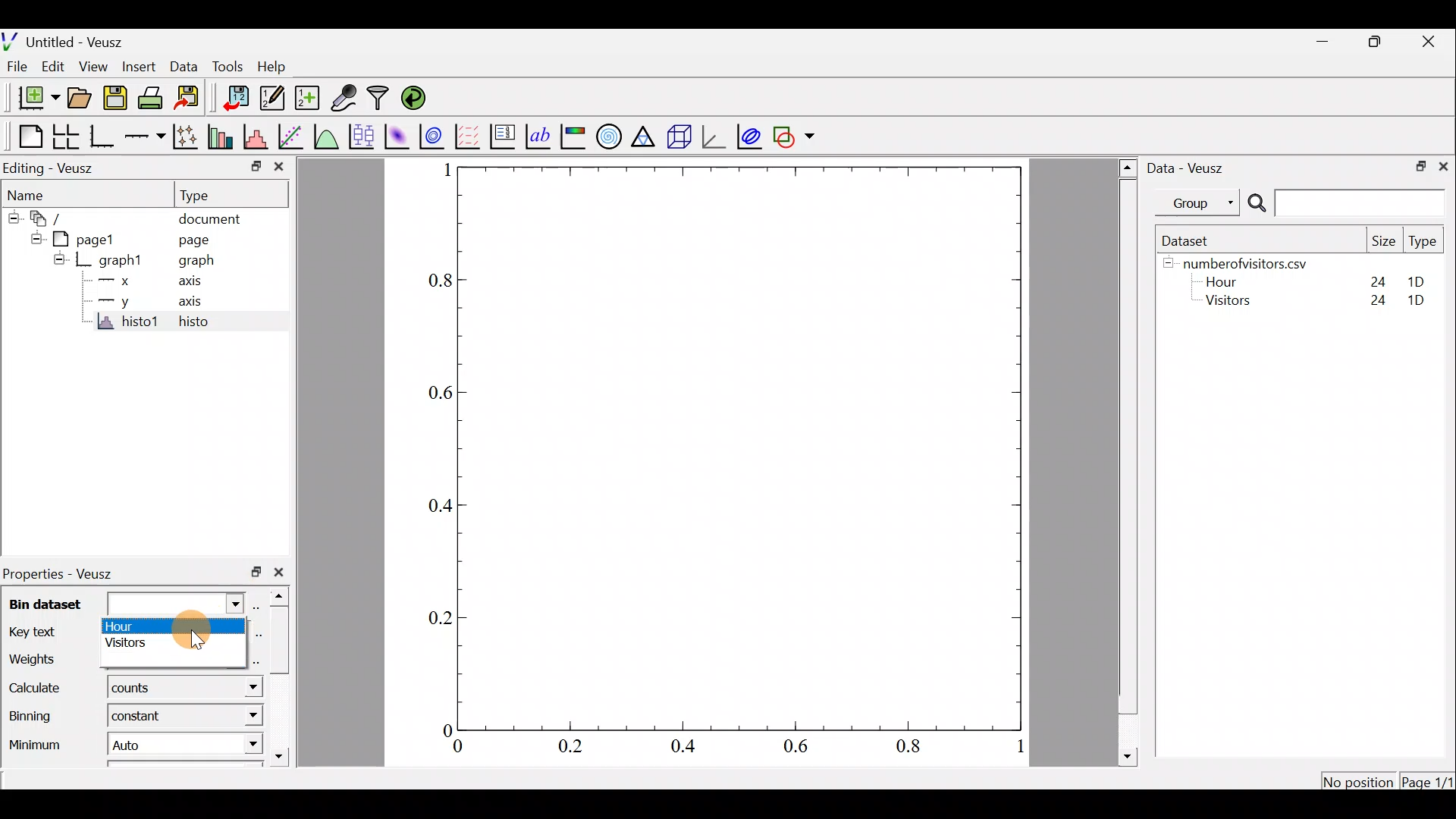  Describe the element at coordinates (1359, 780) in the screenshot. I see `No position` at that location.